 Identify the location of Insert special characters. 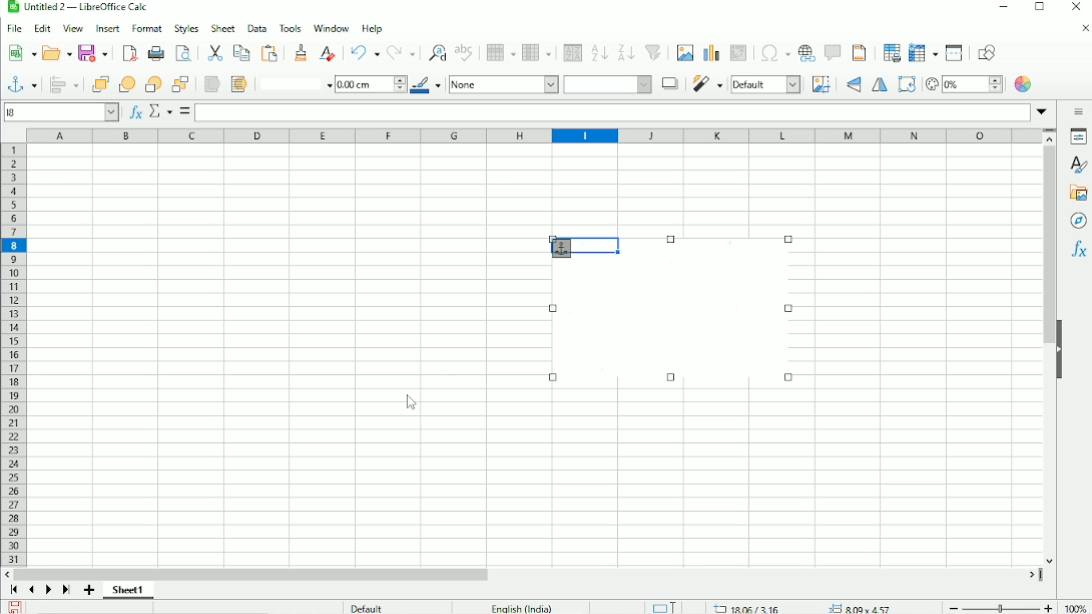
(776, 55).